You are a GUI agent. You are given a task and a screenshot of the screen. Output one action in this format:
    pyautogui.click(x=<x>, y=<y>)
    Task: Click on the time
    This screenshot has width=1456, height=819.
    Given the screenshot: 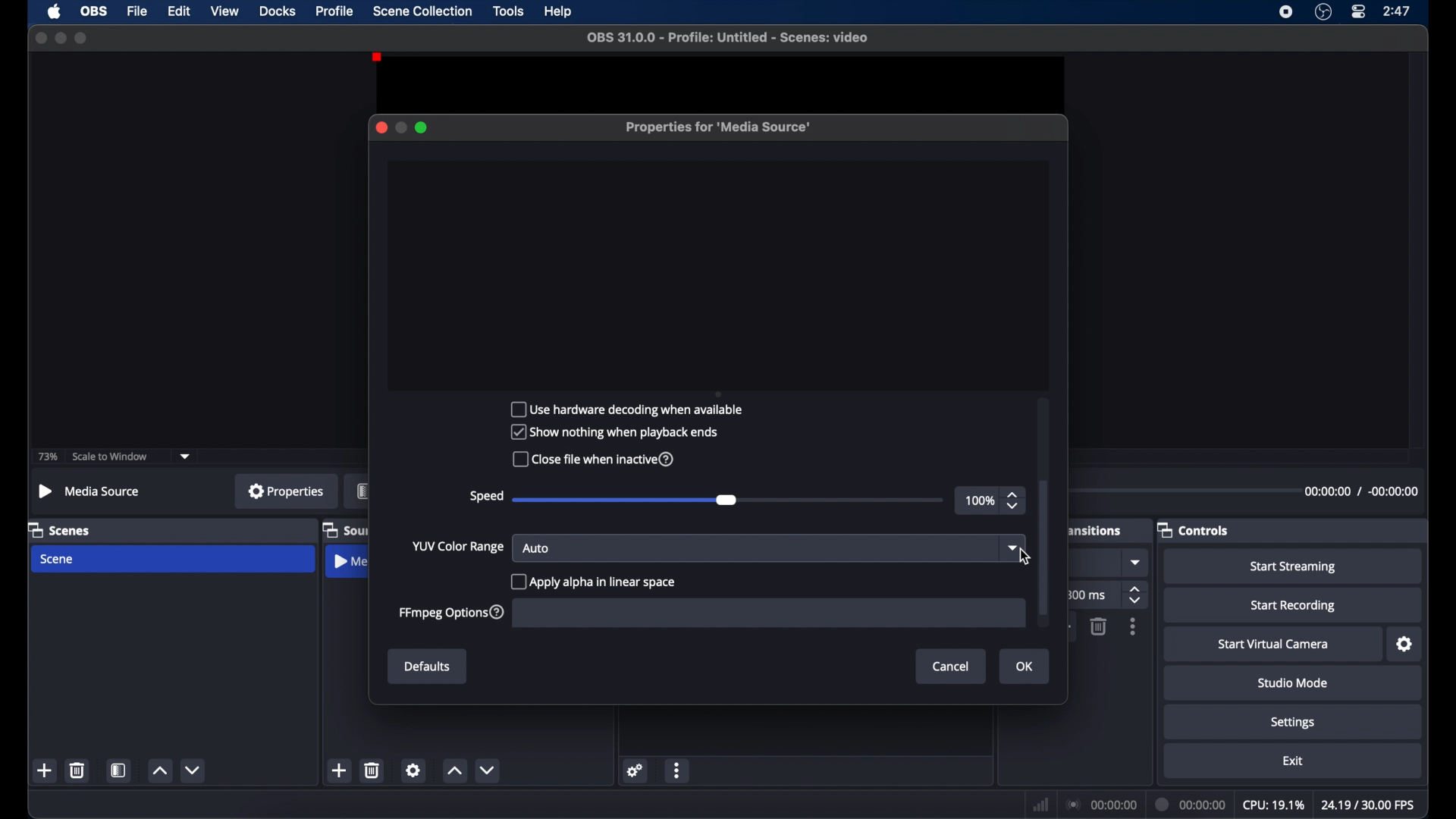 What is the action you would take?
    pyautogui.click(x=1398, y=11)
    